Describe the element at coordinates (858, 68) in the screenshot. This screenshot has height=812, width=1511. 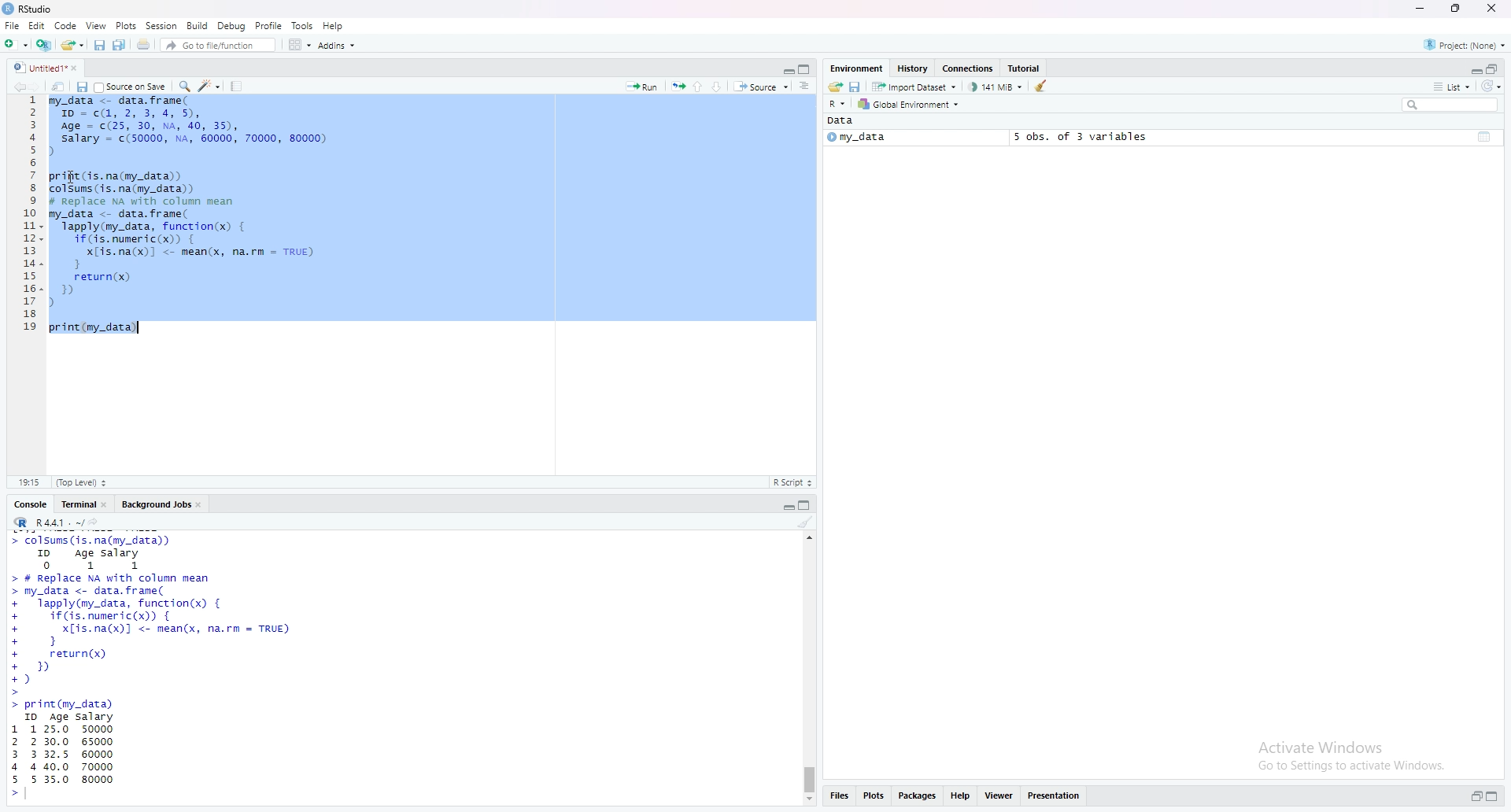
I see `Environment` at that location.